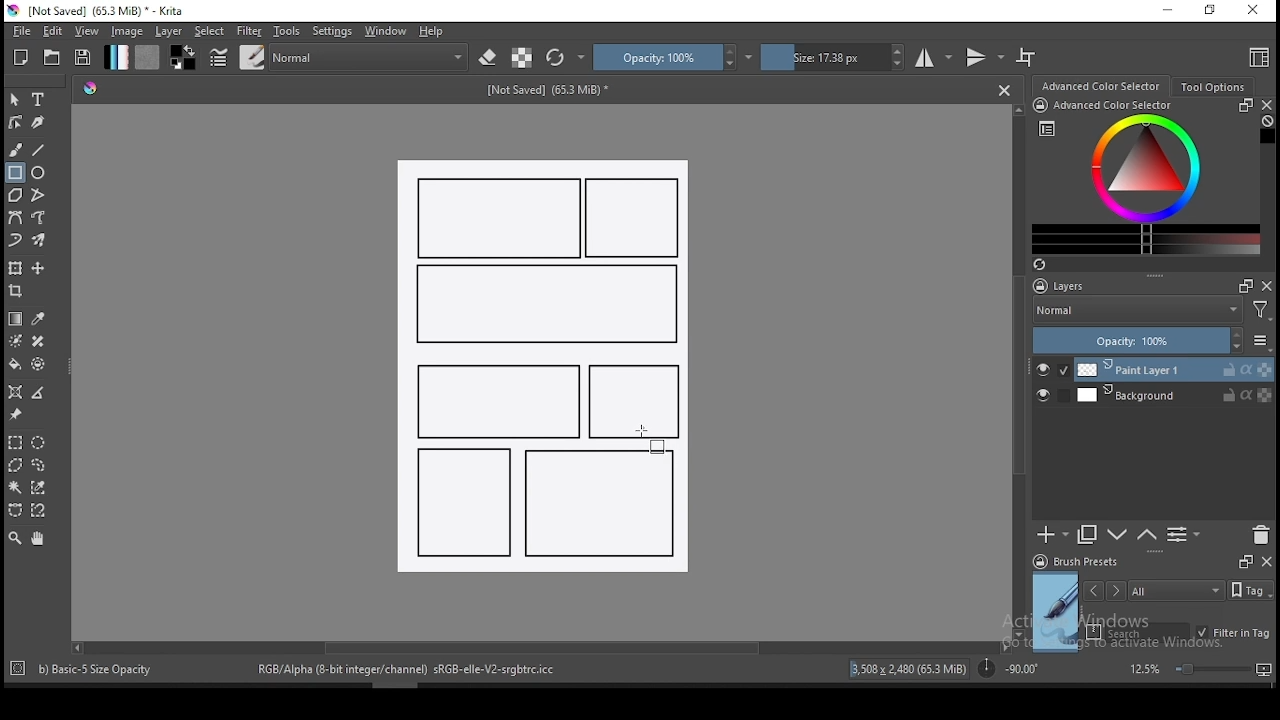  I want to click on brush presets, so click(1082, 562).